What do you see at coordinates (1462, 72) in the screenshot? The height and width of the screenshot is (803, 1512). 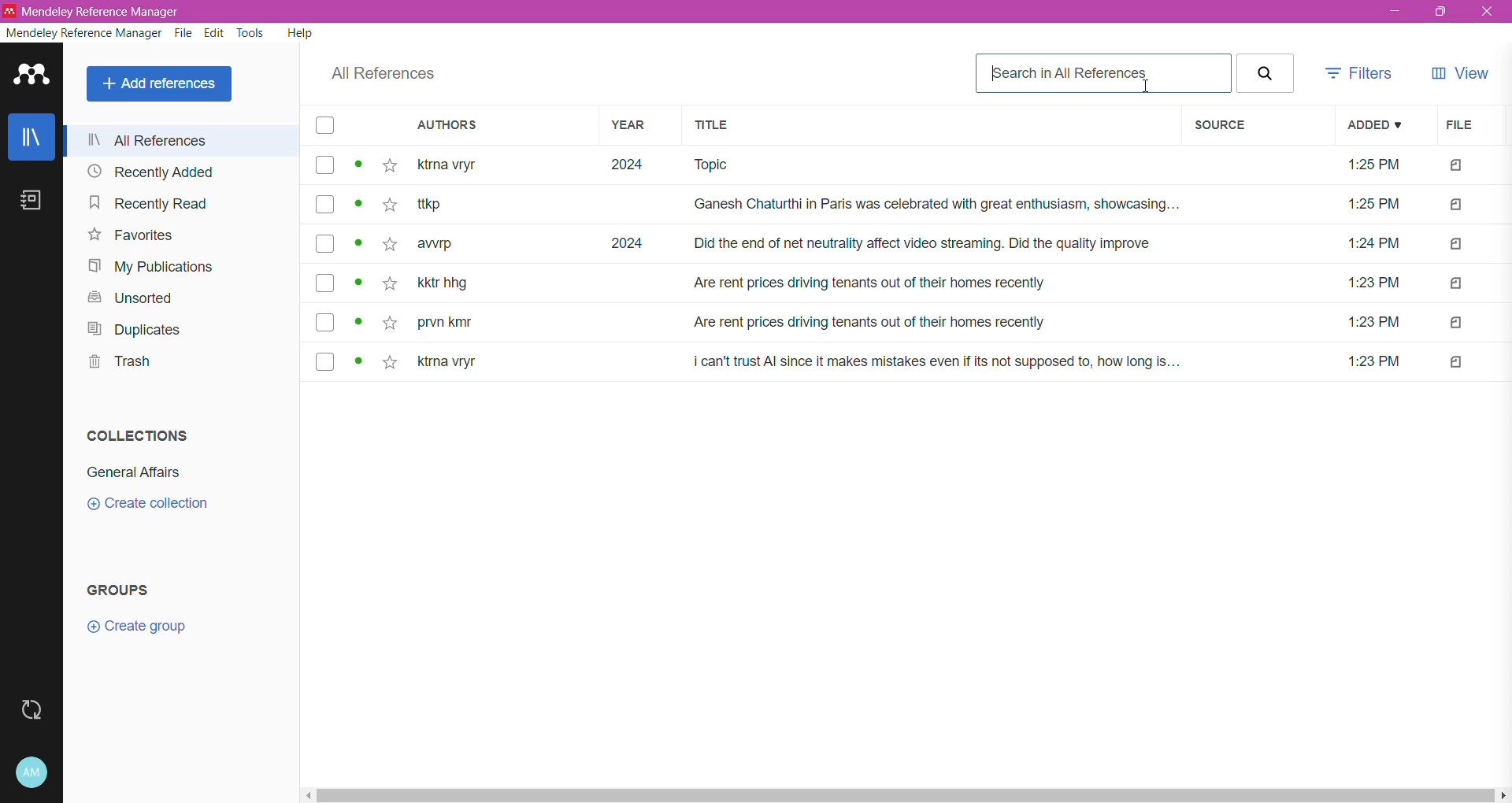 I see `View` at bounding box center [1462, 72].